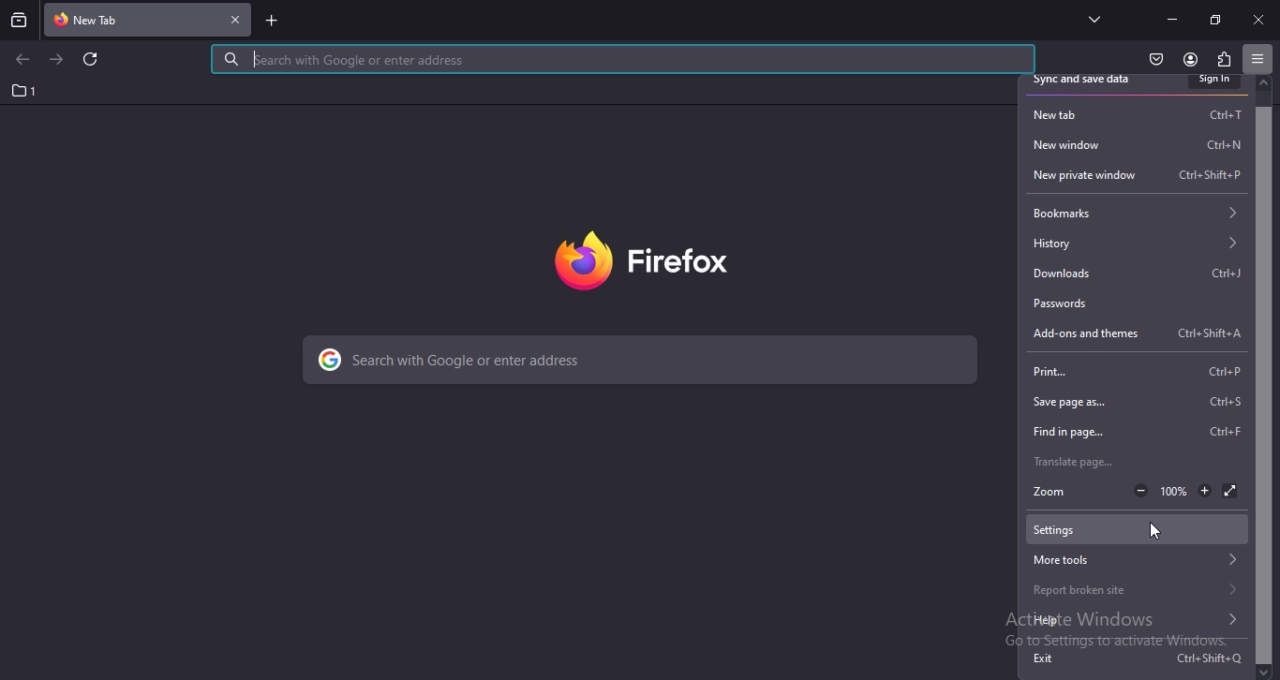 This screenshot has height=680, width=1280. What do you see at coordinates (1230, 491) in the screenshot?
I see `dsiplay in full screen` at bounding box center [1230, 491].